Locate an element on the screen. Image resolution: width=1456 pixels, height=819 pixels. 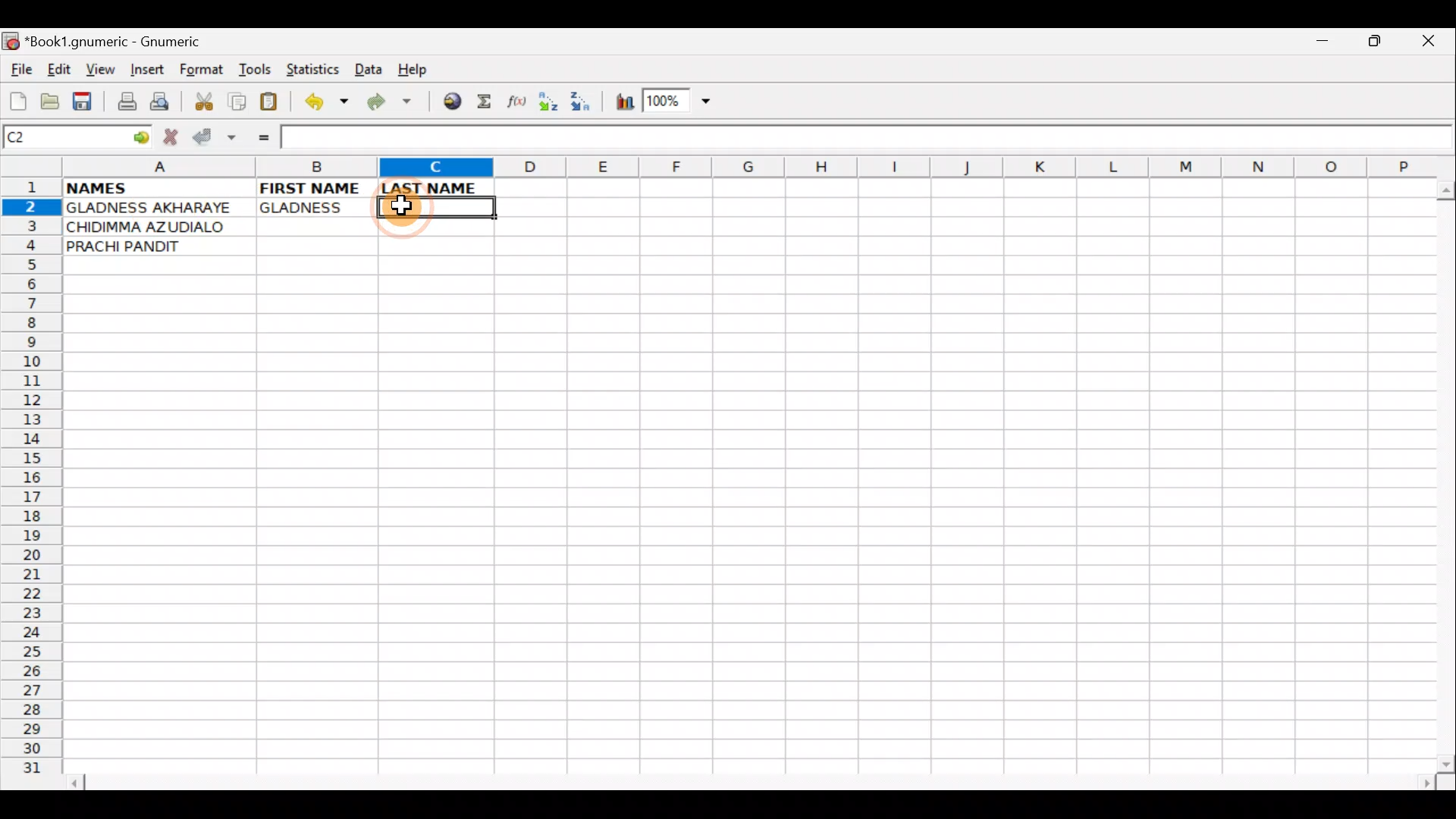
go to is located at coordinates (140, 135).